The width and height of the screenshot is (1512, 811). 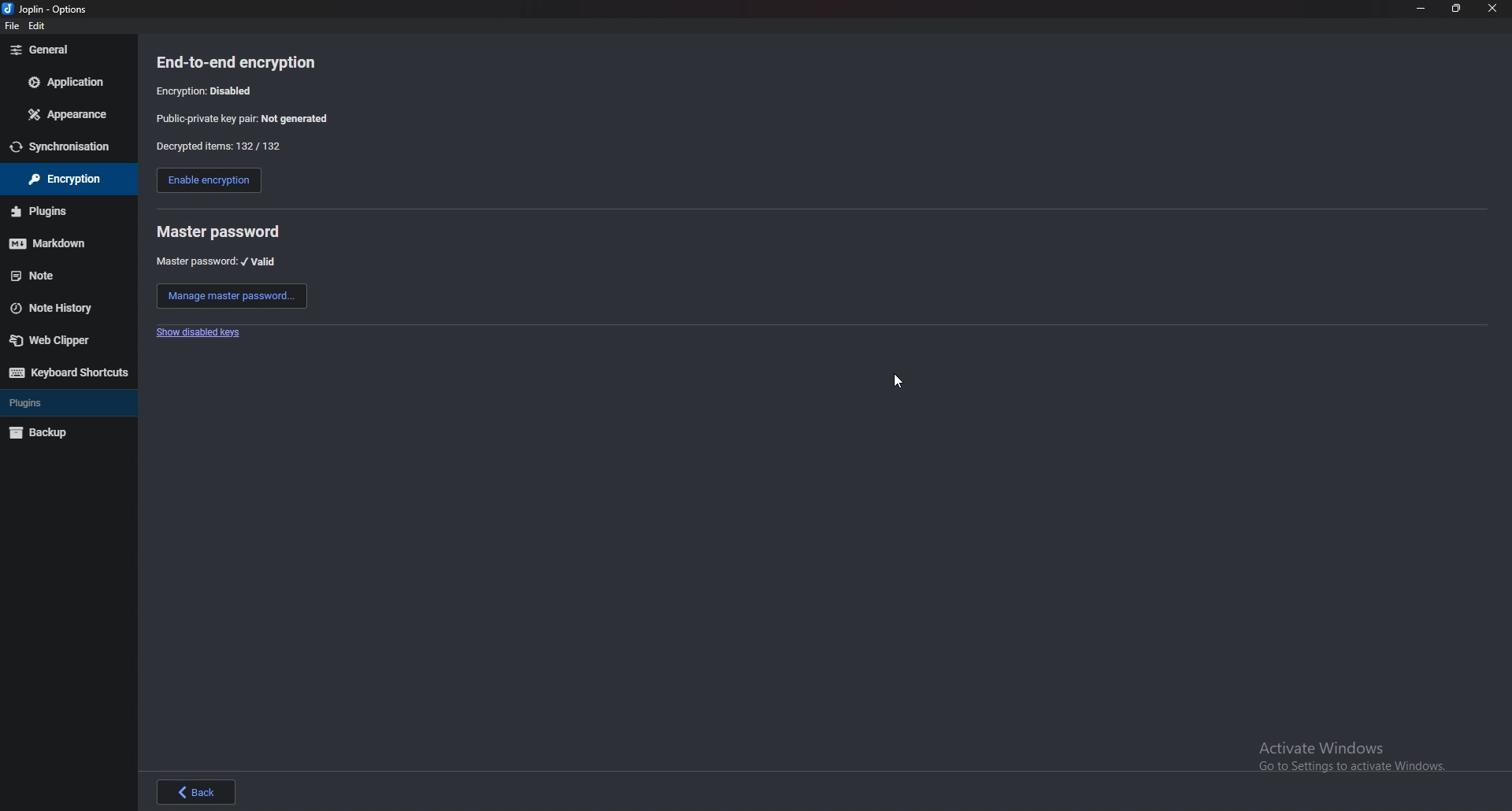 What do you see at coordinates (67, 372) in the screenshot?
I see `keyboard shortcuts` at bounding box center [67, 372].